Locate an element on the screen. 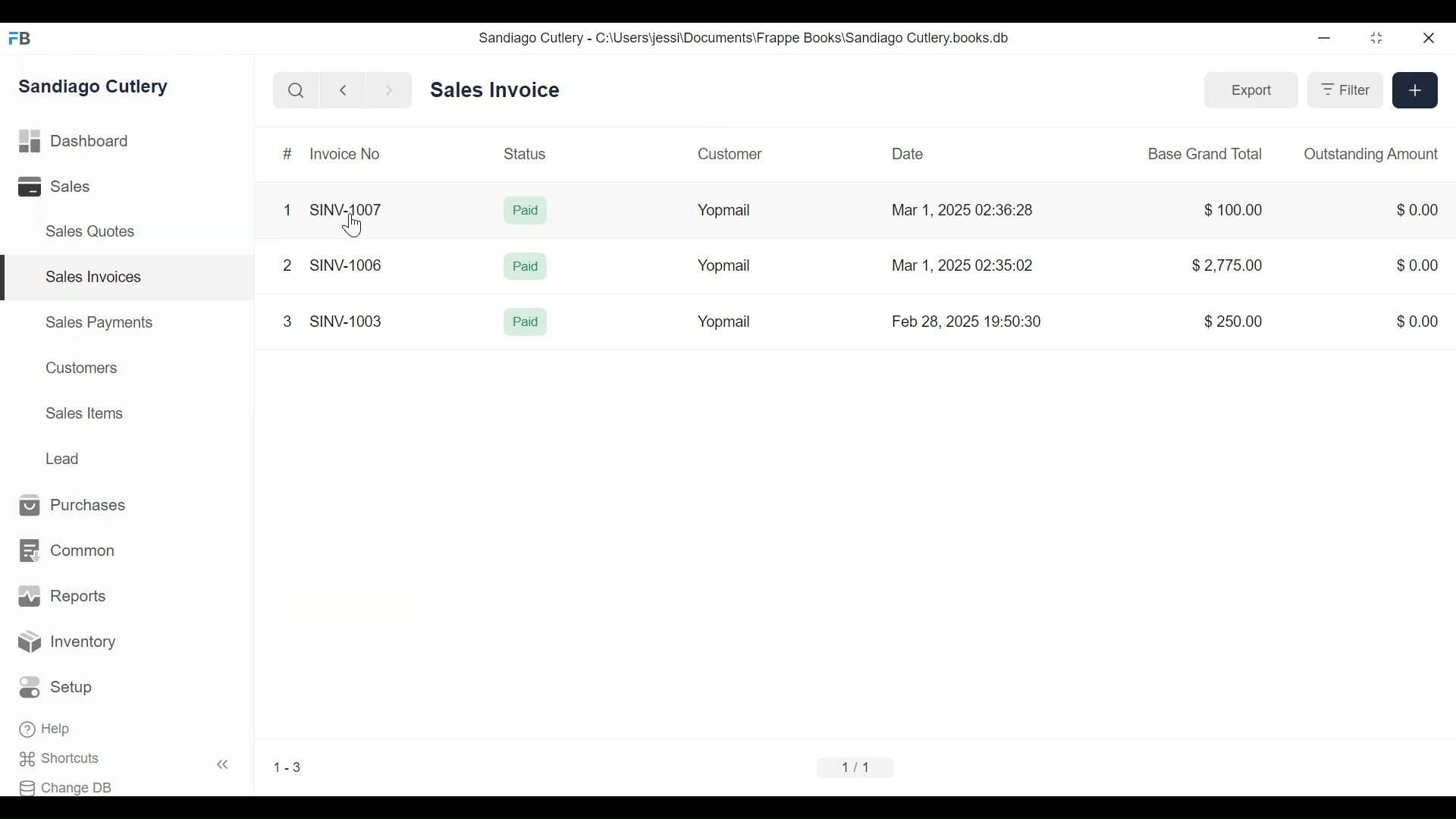 The width and height of the screenshot is (1456, 819). $100.00 is located at coordinates (1234, 210).